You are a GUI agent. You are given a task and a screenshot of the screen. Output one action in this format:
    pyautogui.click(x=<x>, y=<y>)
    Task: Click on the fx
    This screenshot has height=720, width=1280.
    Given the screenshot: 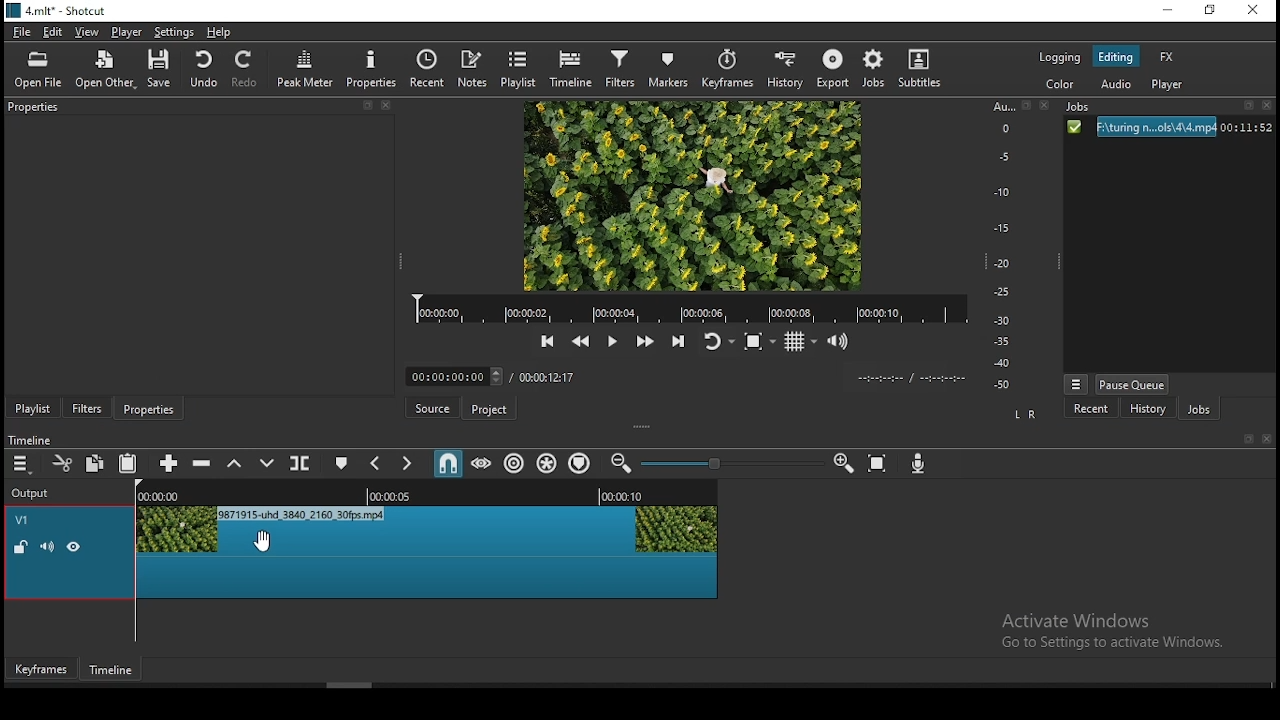 What is the action you would take?
    pyautogui.click(x=1167, y=58)
    